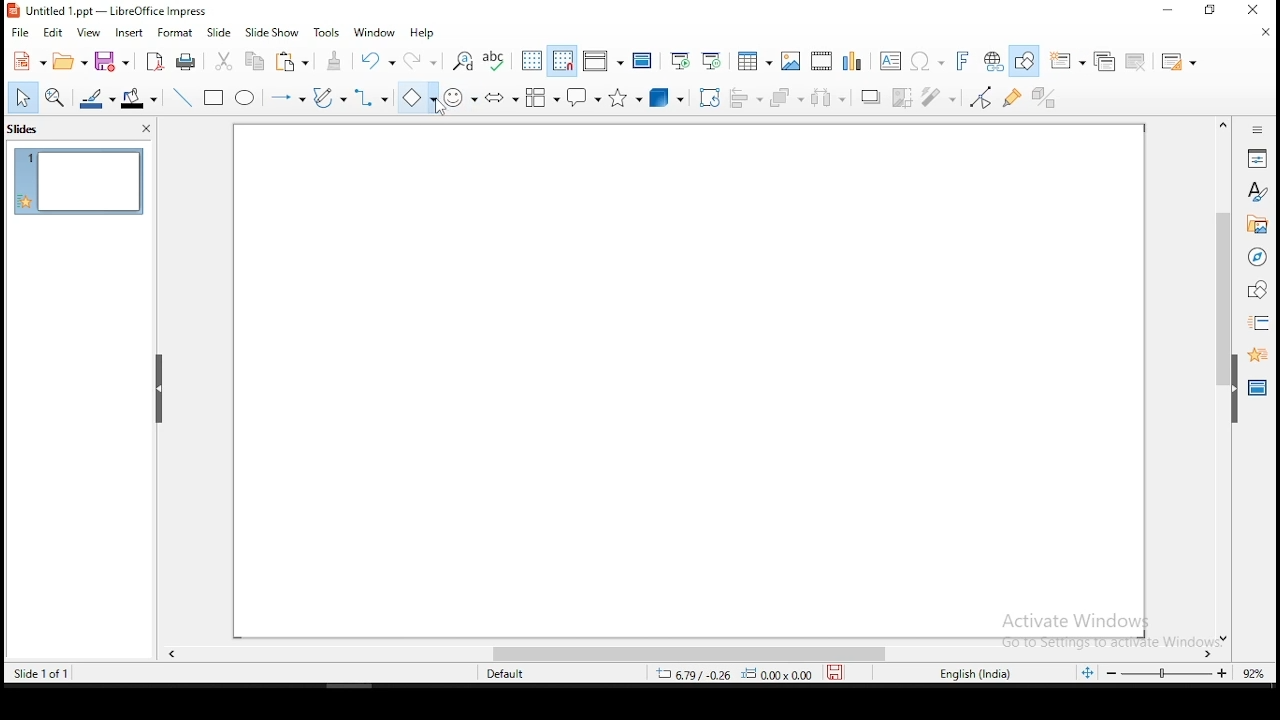 The image size is (1280, 720). Describe the element at coordinates (713, 61) in the screenshot. I see `start from current slide` at that location.